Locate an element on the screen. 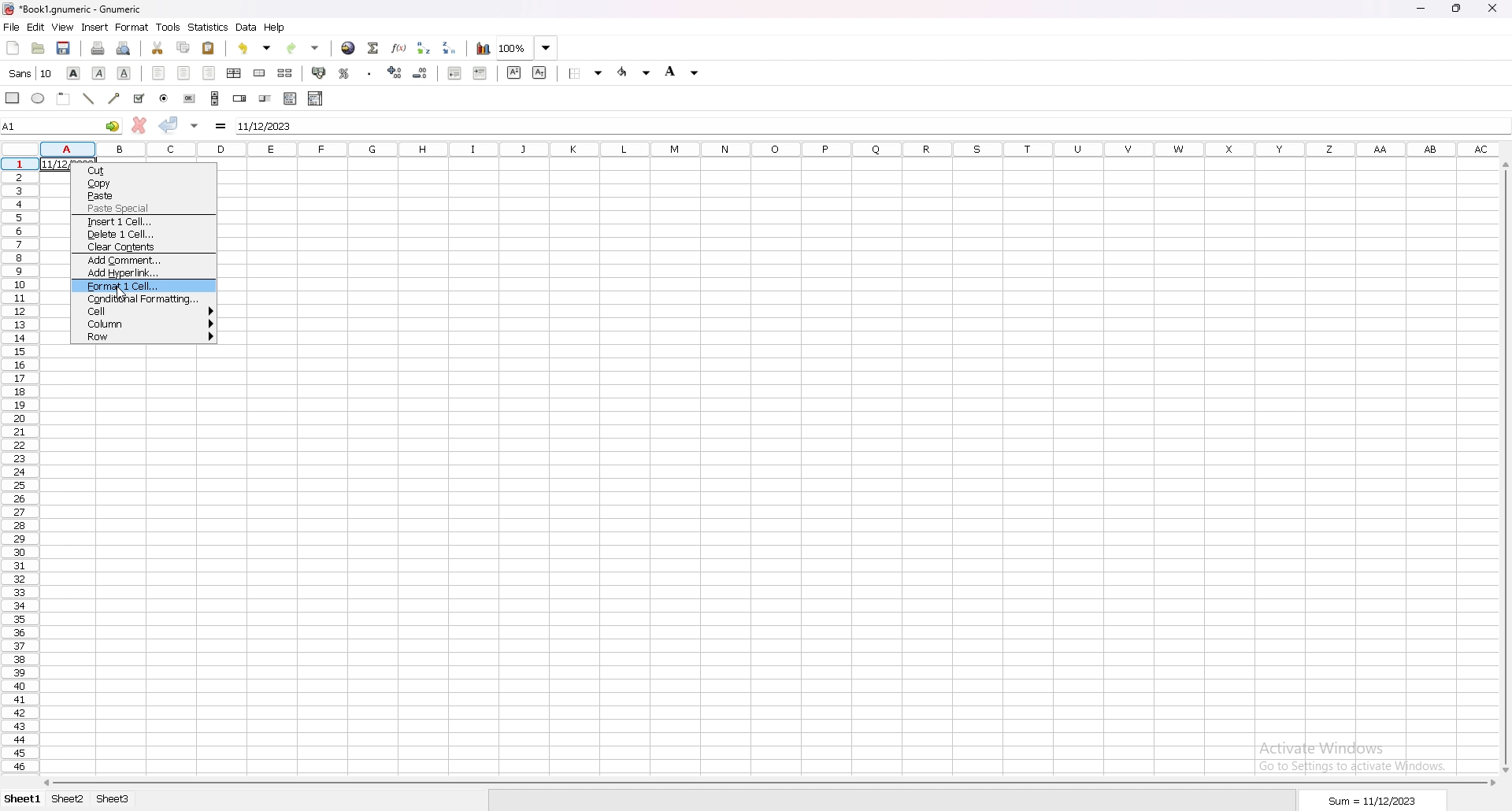  cut is located at coordinates (148, 170).